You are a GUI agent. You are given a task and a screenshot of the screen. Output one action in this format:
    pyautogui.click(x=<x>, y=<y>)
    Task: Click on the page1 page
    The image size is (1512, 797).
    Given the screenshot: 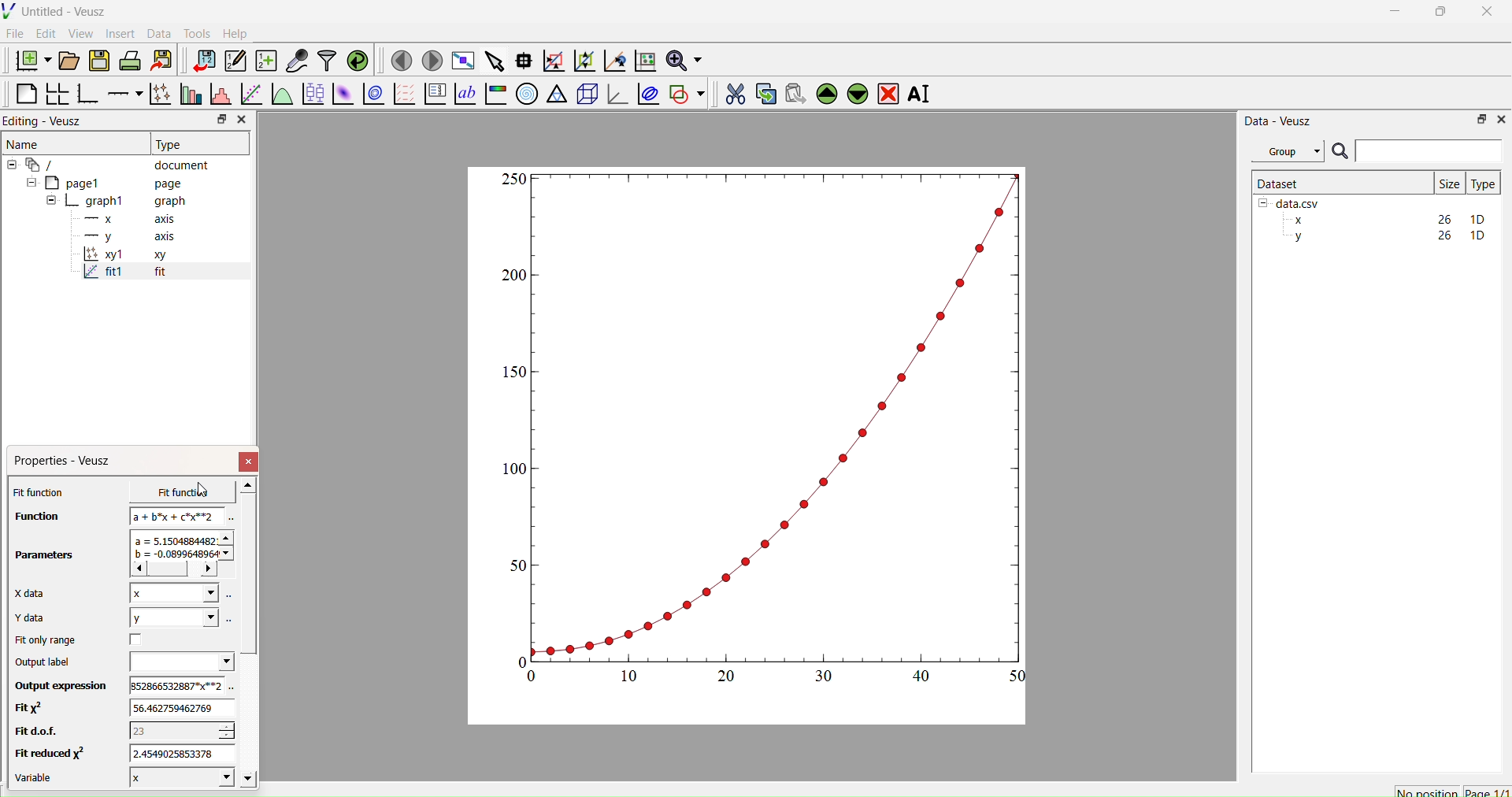 What is the action you would take?
    pyautogui.click(x=105, y=182)
    